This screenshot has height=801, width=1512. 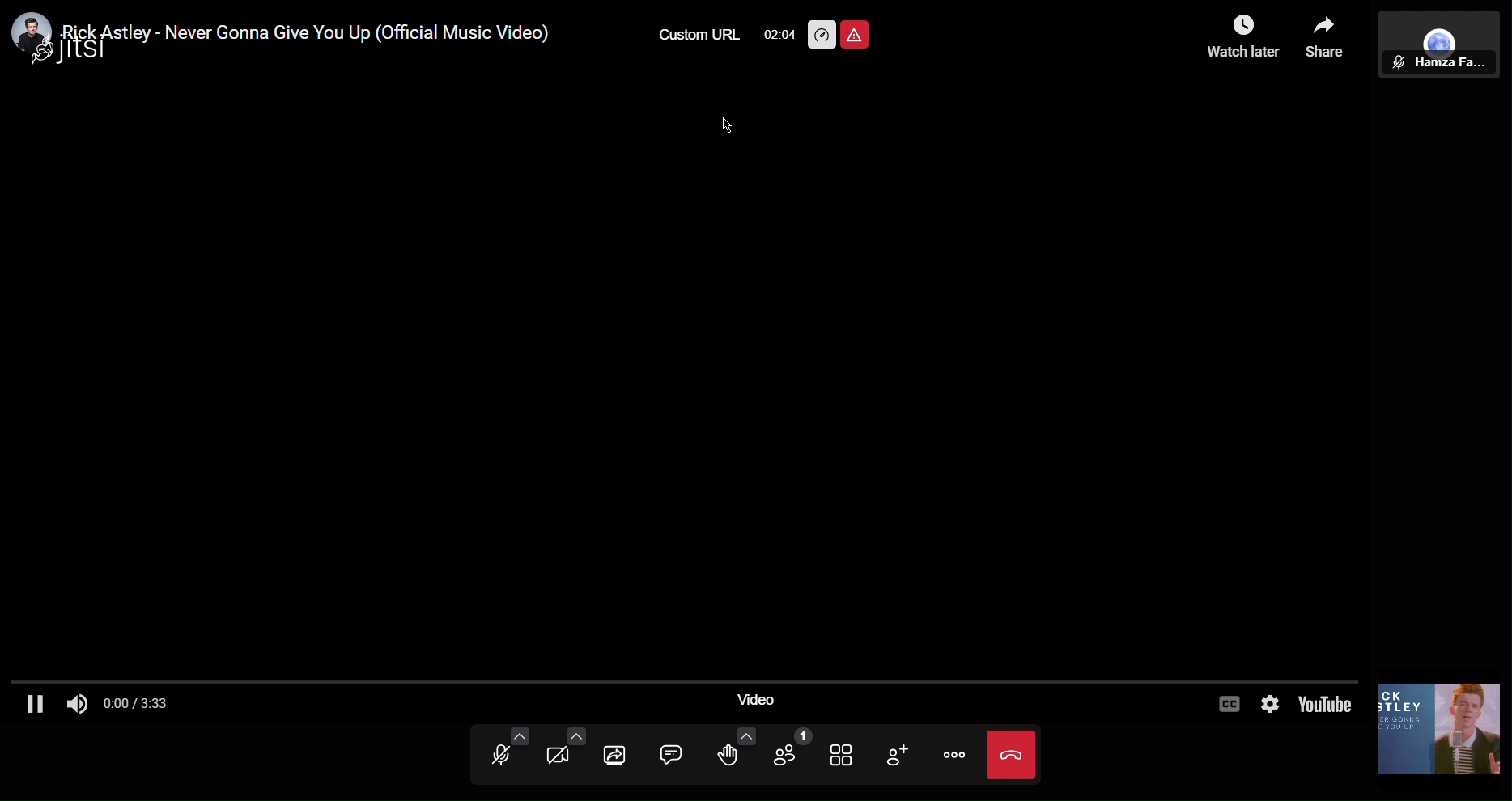 What do you see at coordinates (290, 38) in the screenshot?
I see `ideo title` at bounding box center [290, 38].